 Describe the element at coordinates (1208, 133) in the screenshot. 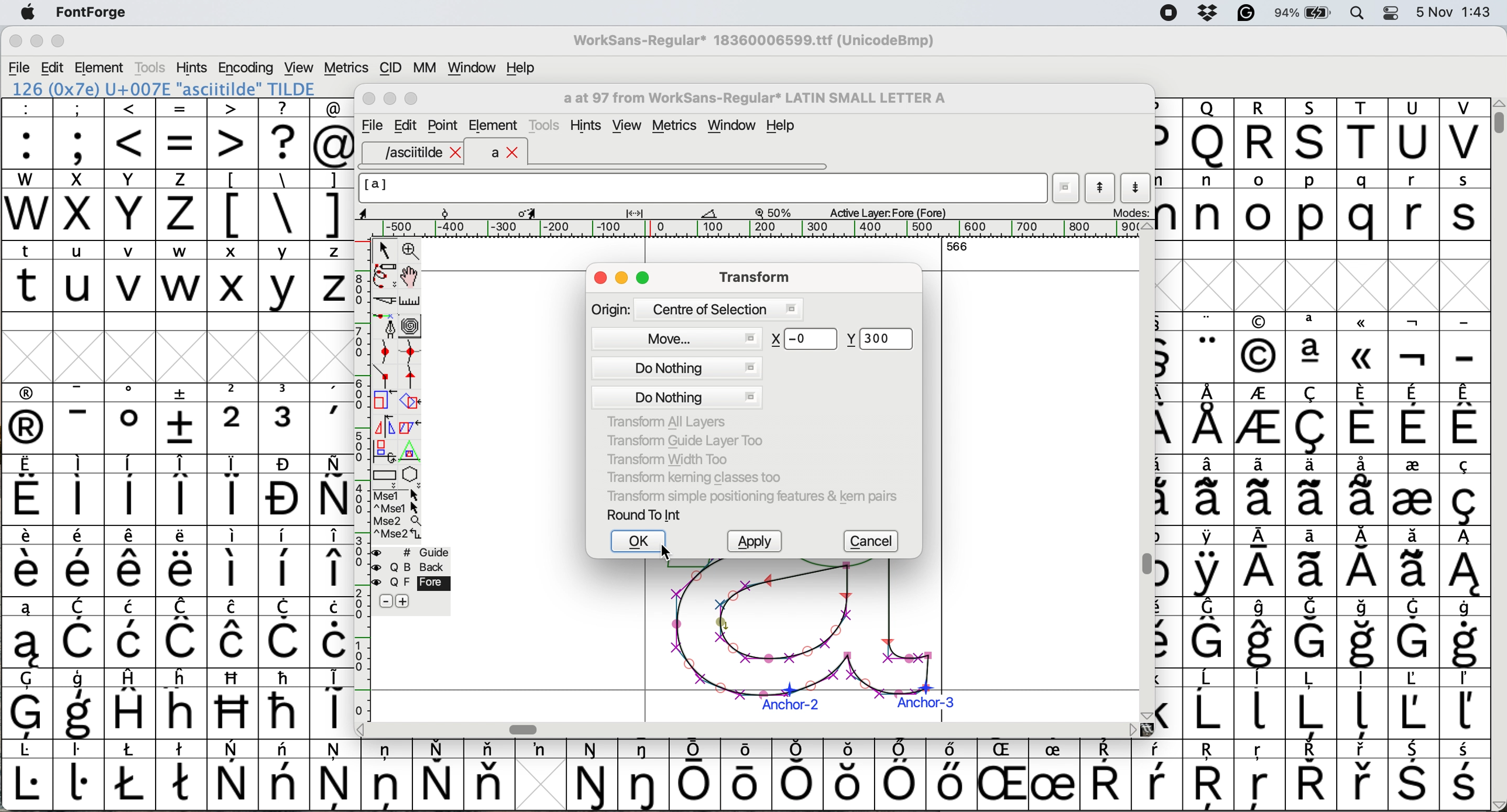

I see `` at that location.